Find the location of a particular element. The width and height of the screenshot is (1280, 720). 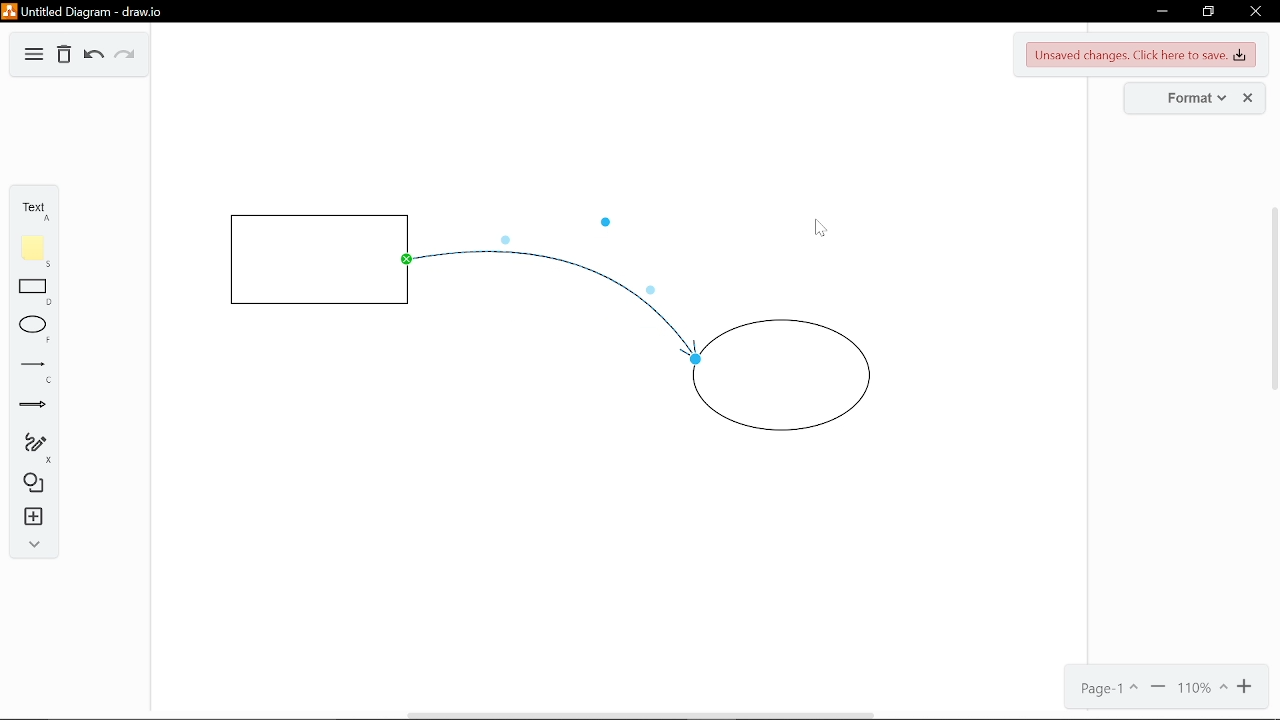

Expand/Collase is located at coordinates (31, 545).